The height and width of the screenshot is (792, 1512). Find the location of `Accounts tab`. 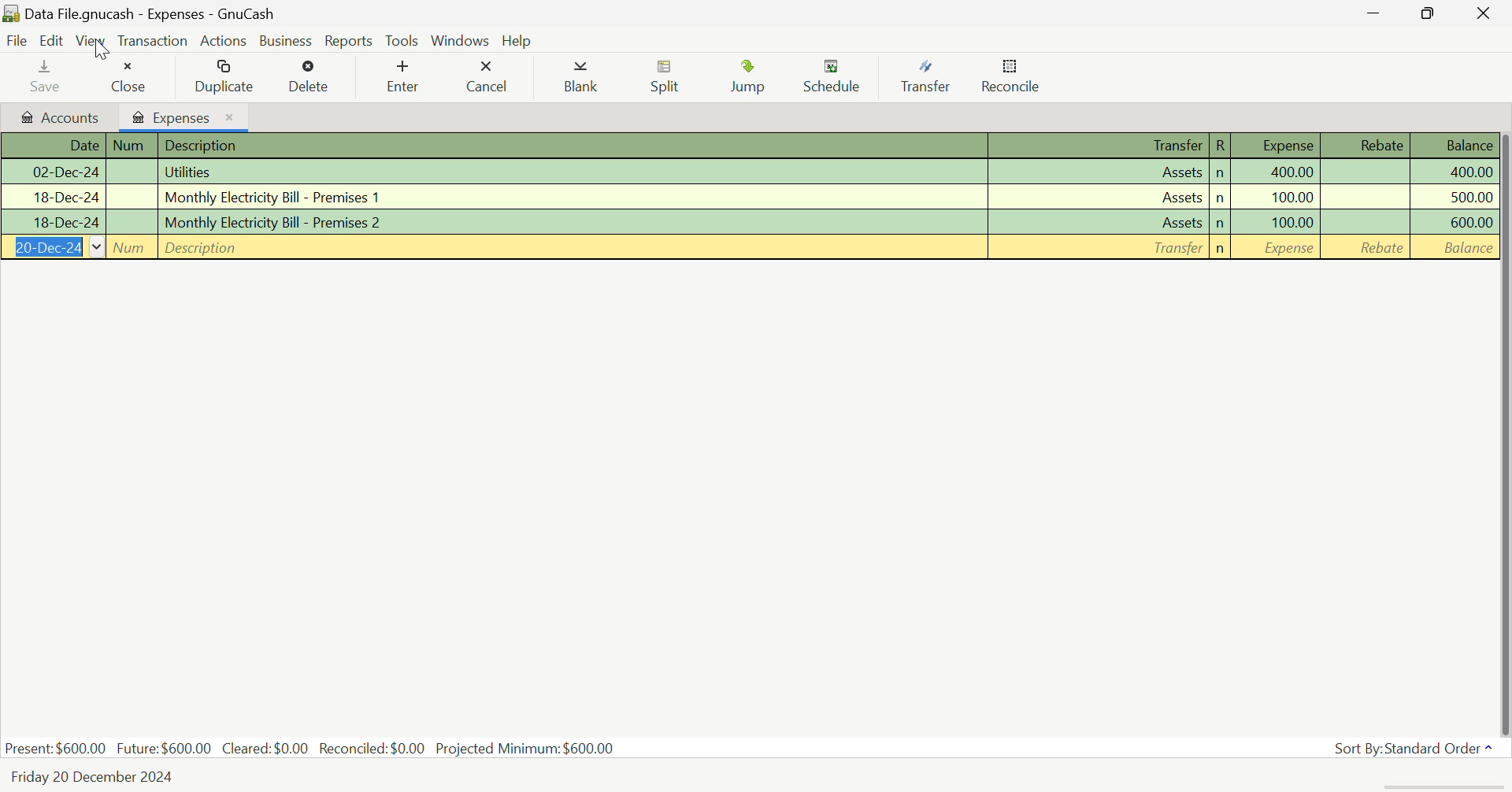

Accounts tab is located at coordinates (60, 116).